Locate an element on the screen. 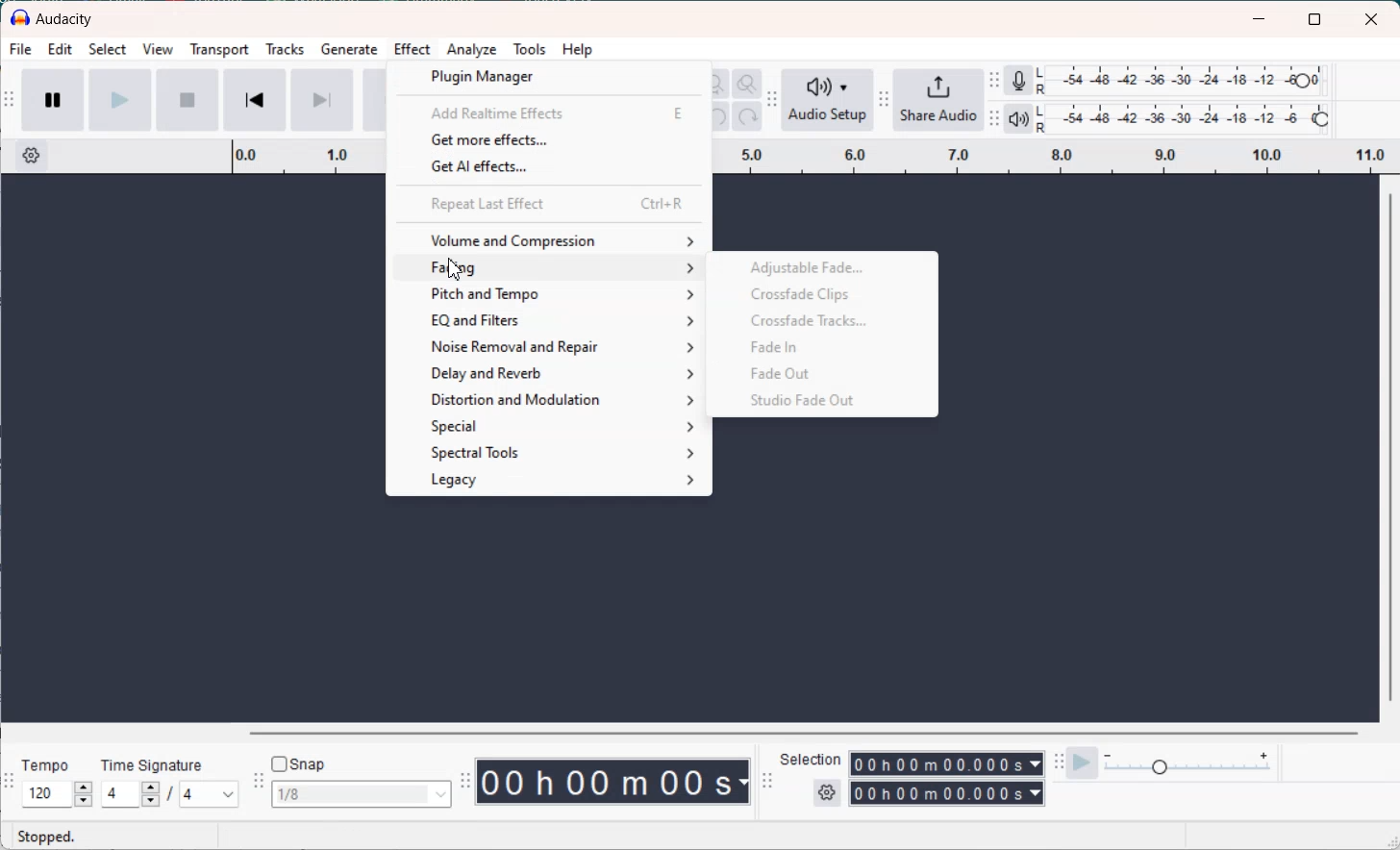 This screenshot has height=850, width=1400. File is located at coordinates (20, 50).